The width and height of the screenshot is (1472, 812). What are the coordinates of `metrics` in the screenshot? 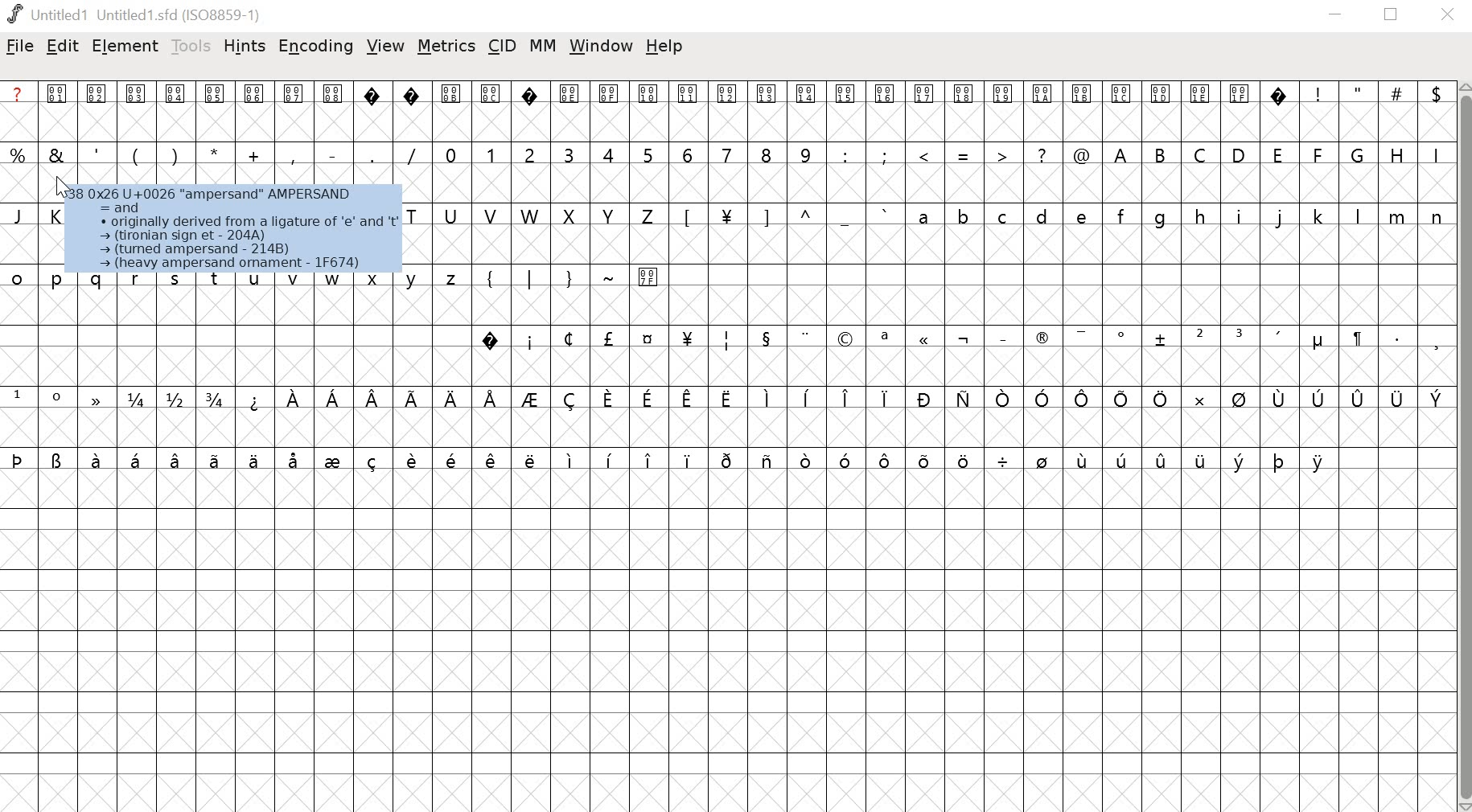 It's located at (446, 47).